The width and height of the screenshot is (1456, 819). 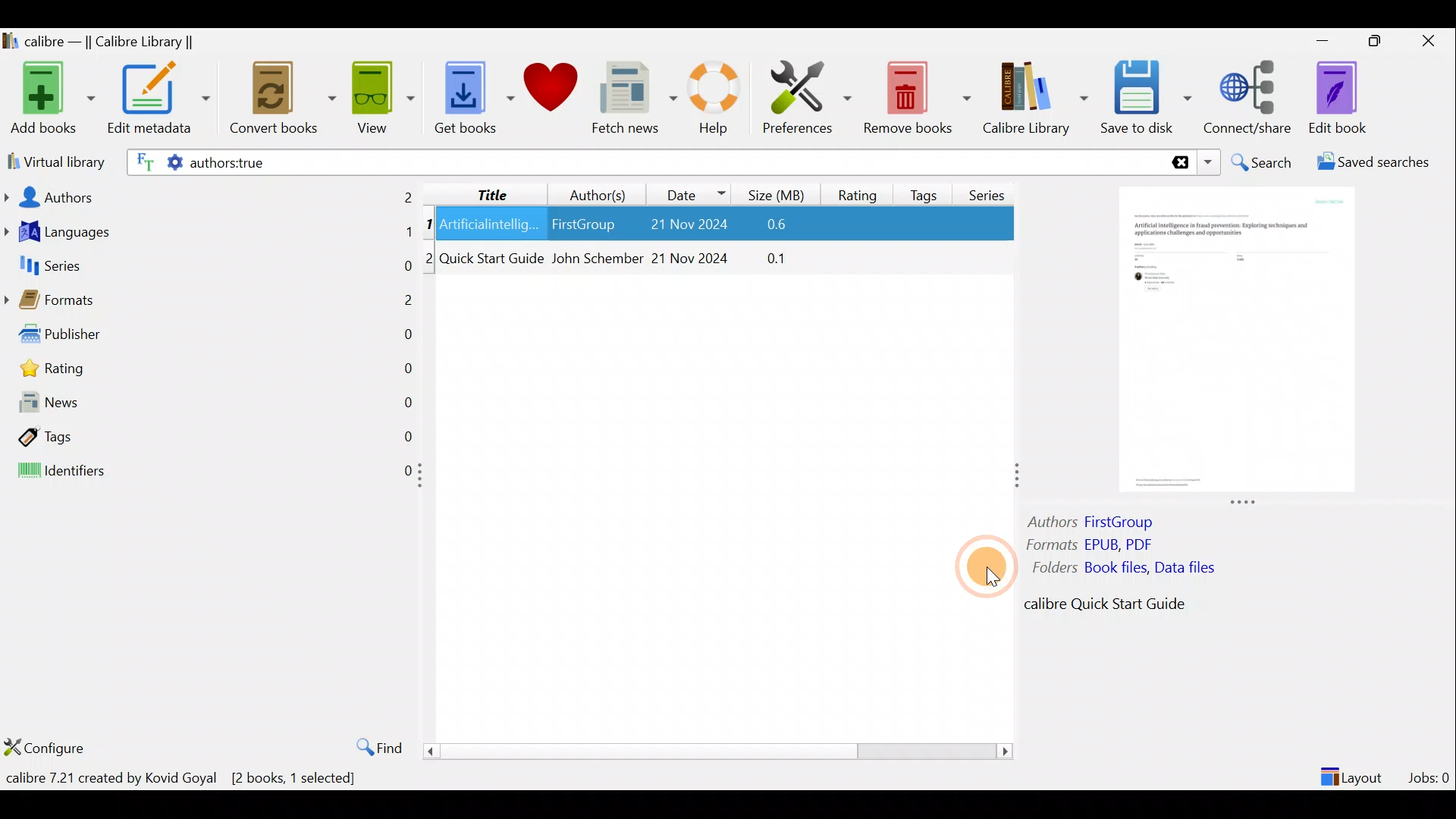 I want to click on Artificialintellig..., so click(x=491, y=223).